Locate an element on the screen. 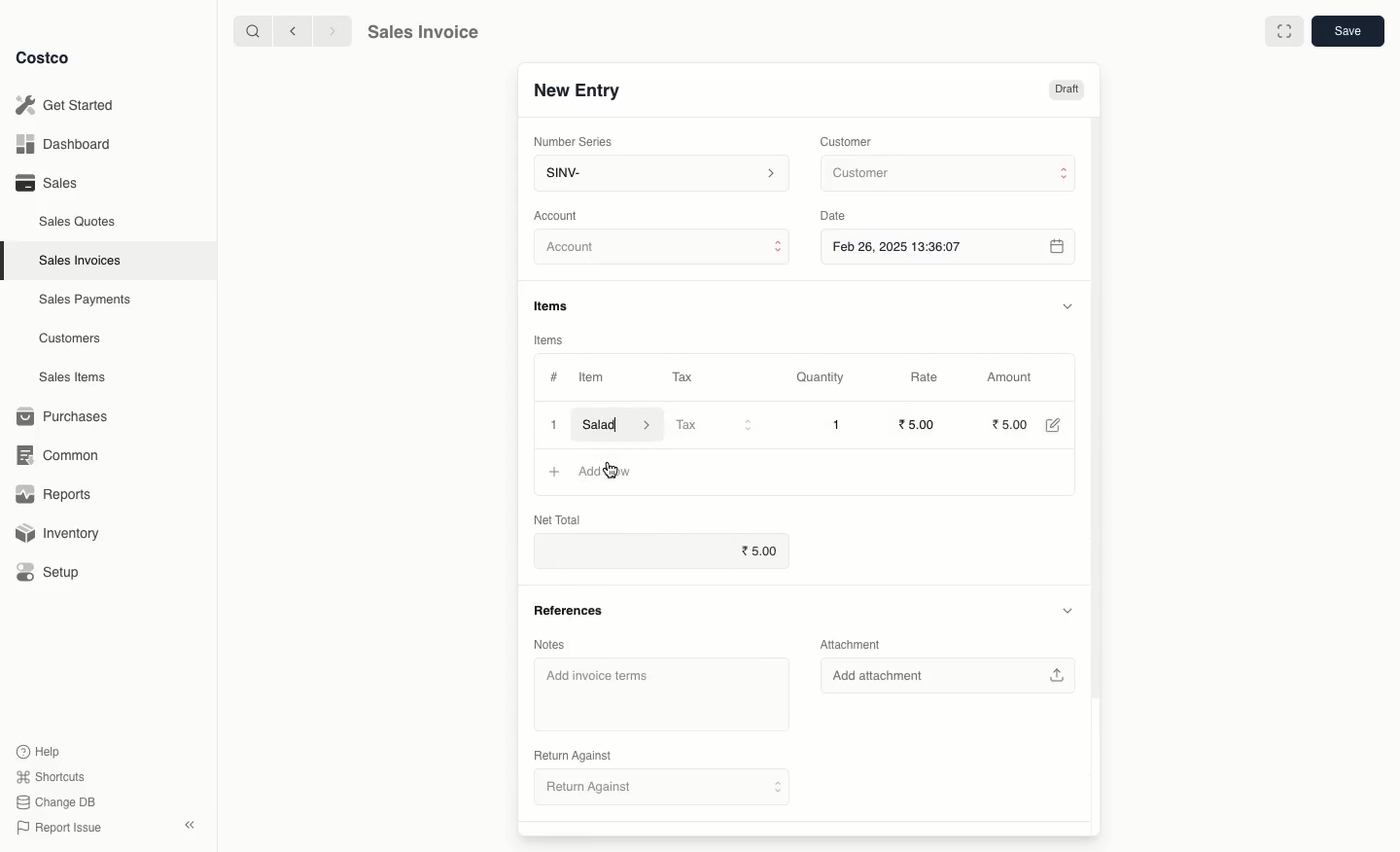 The height and width of the screenshot is (852, 1400). cursor is located at coordinates (614, 472).